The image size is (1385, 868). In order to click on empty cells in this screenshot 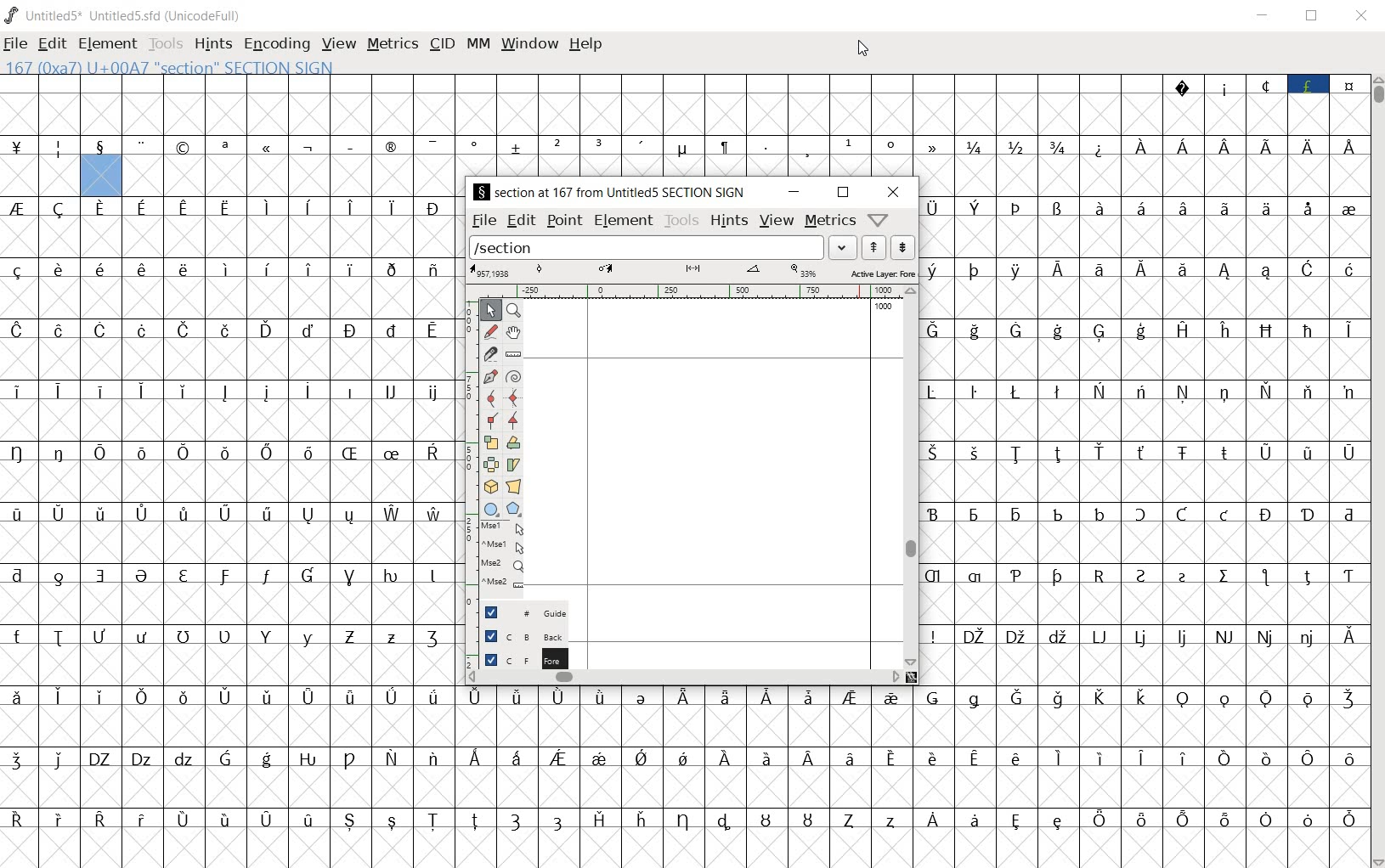, I will do `click(1144, 603)`.